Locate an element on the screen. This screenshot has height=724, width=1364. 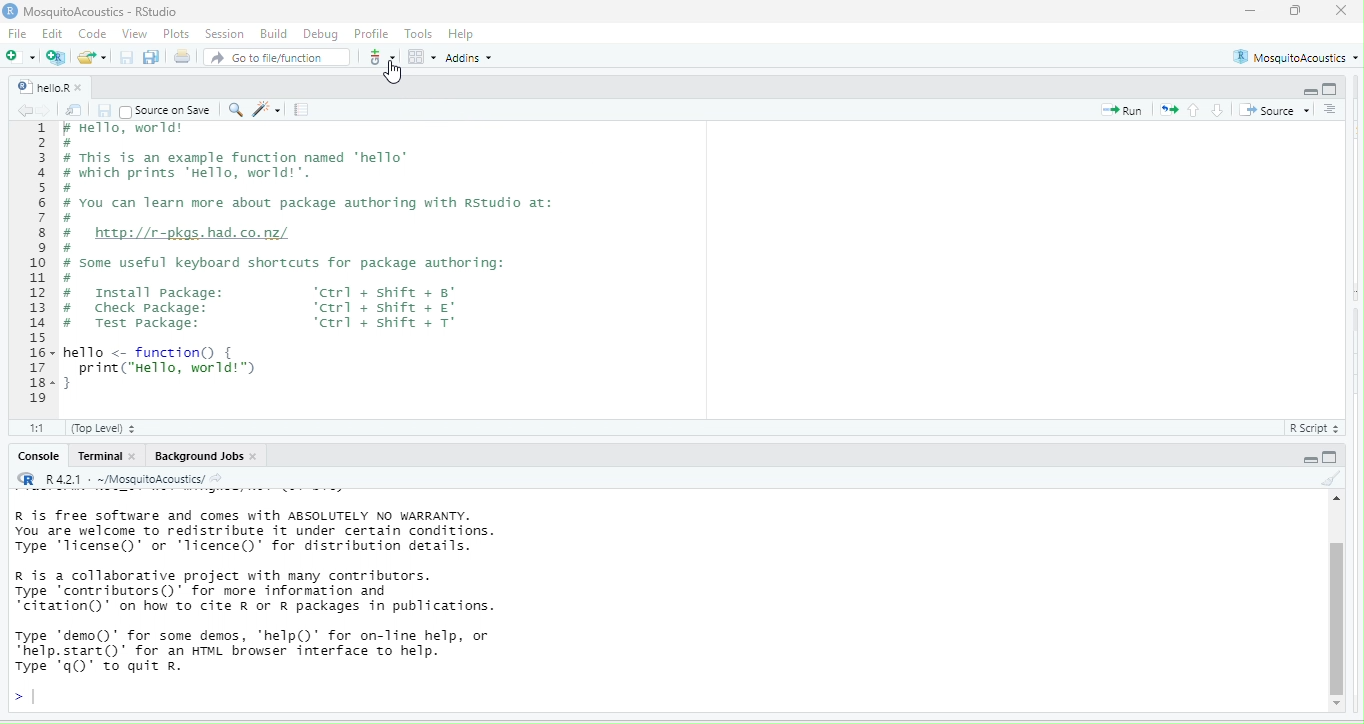
hide console is located at coordinates (1335, 89).